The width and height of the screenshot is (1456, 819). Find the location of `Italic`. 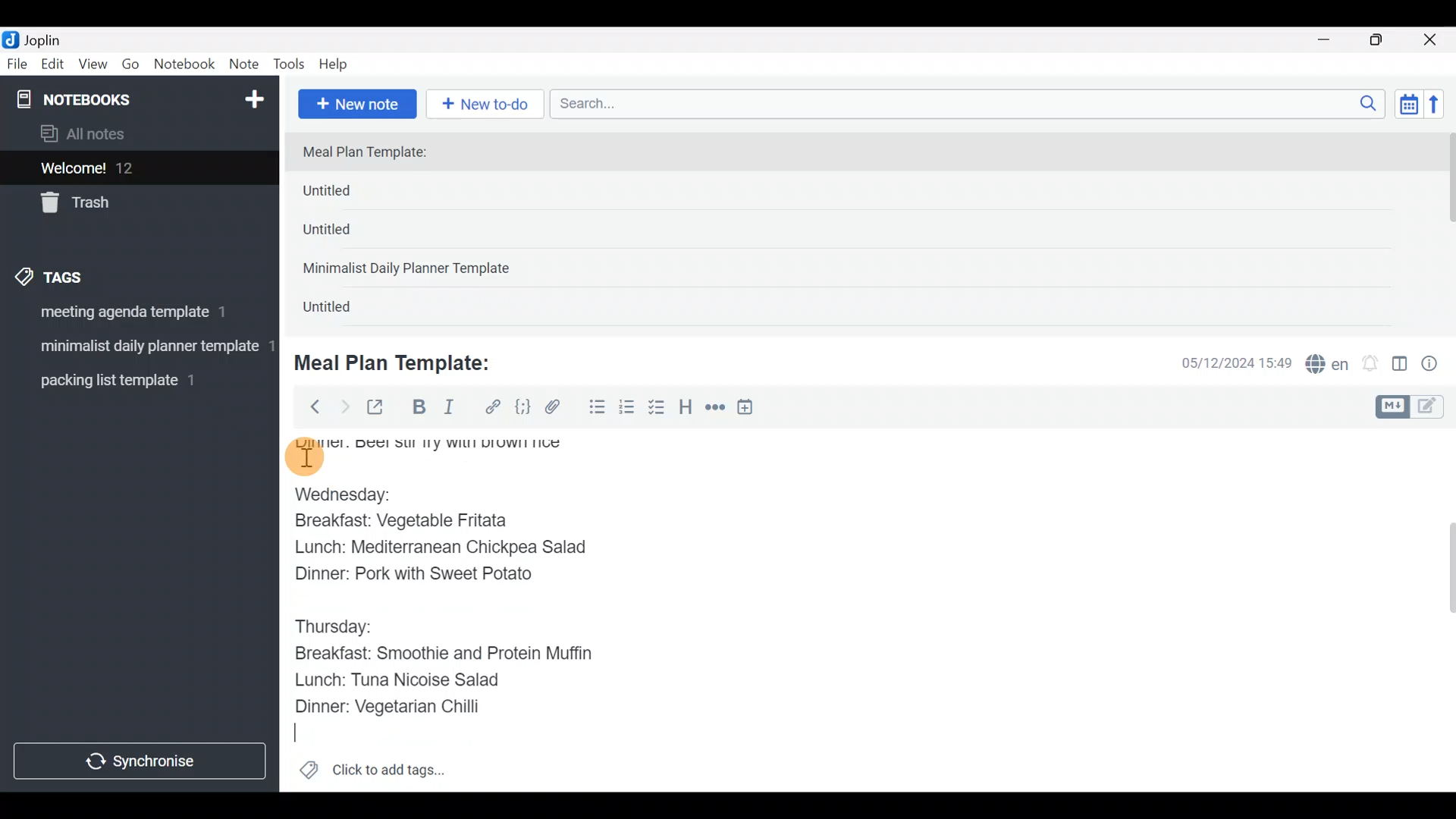

Italic is located at coordinates (447, 410).